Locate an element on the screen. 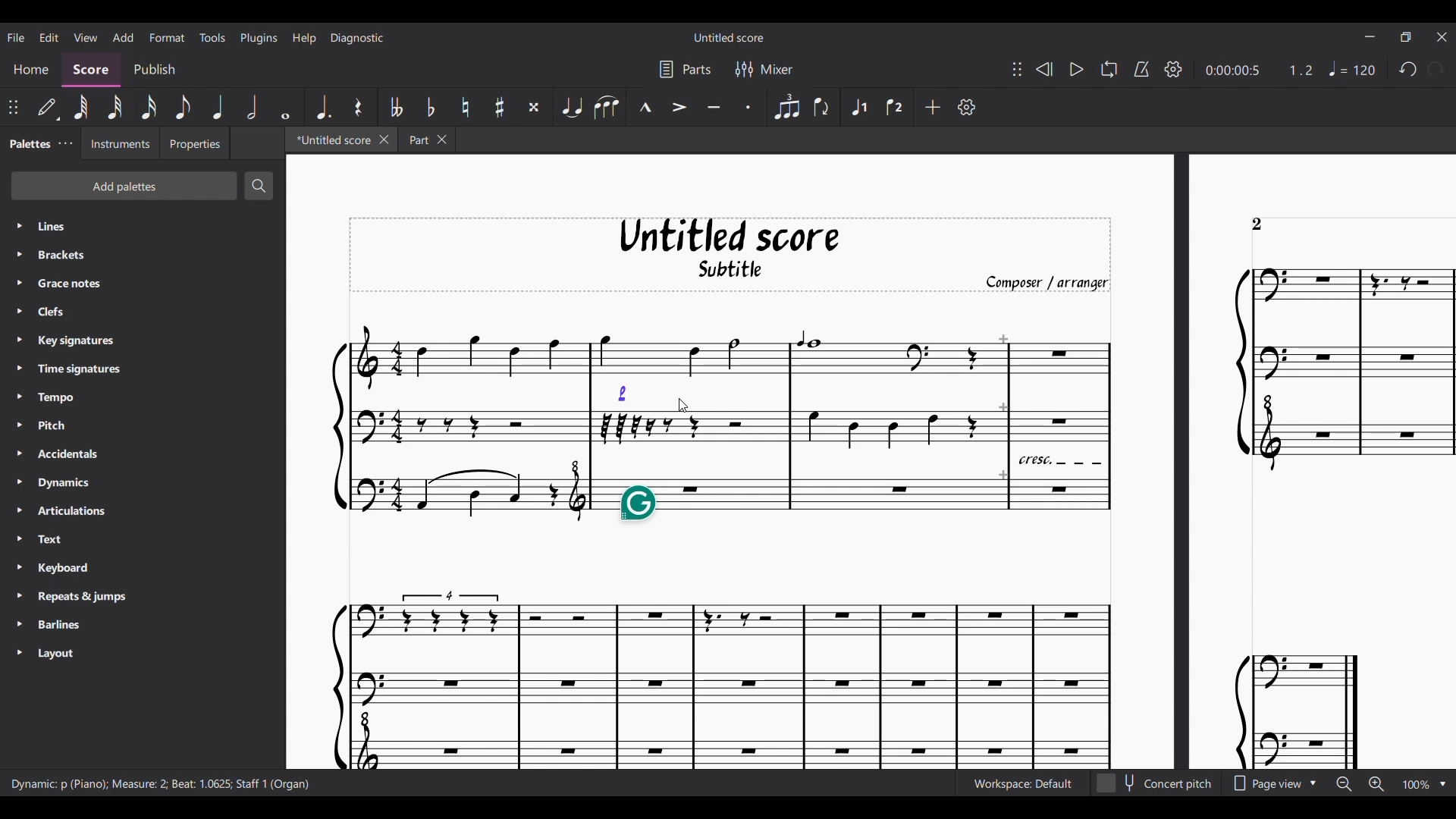 Image resolution: width=1456 pixels, height=819 pixels. Half note is located at coordinates (252, 107).